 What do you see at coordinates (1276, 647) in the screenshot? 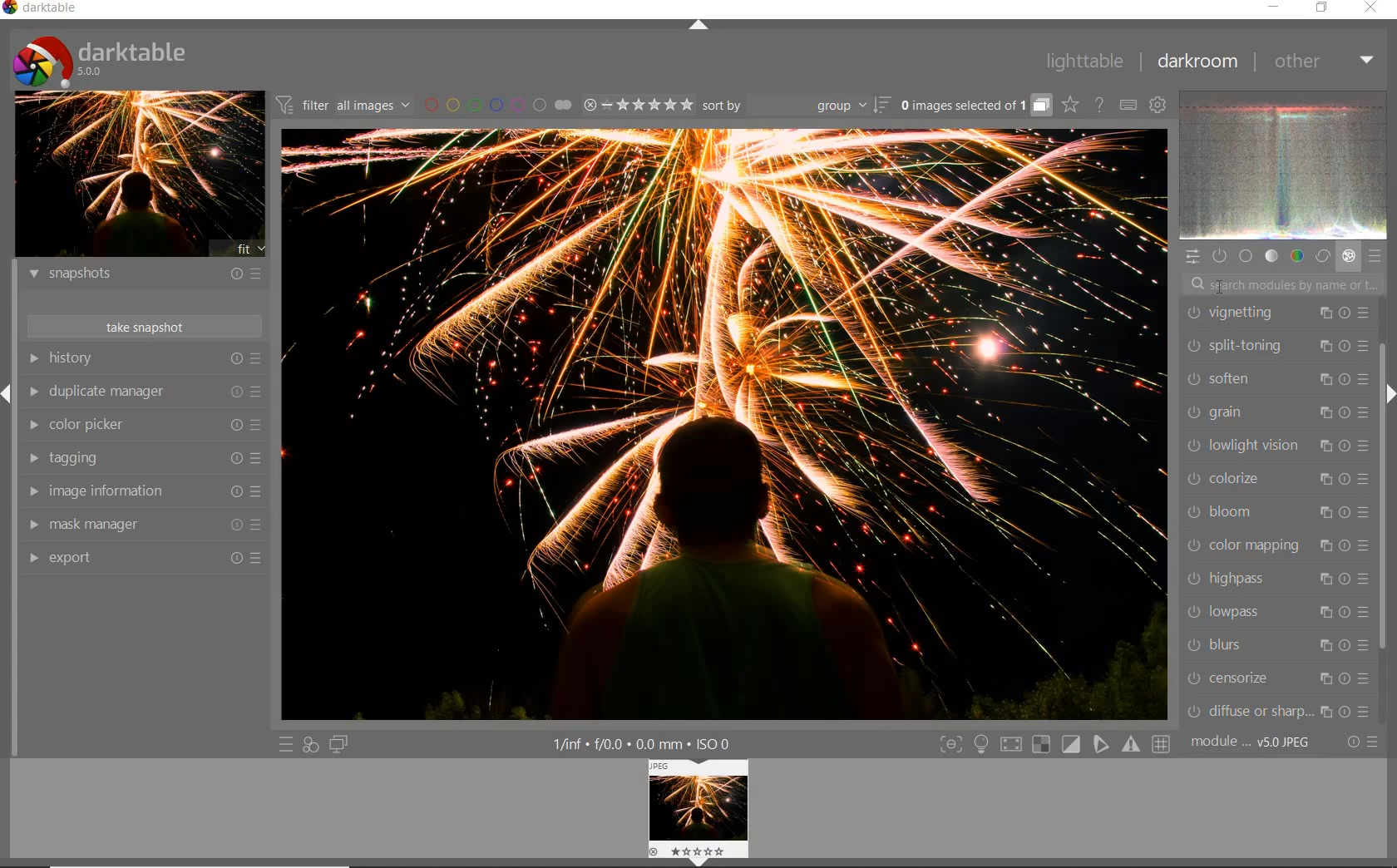
I see `blurs` at bounding box center [1276, 647].